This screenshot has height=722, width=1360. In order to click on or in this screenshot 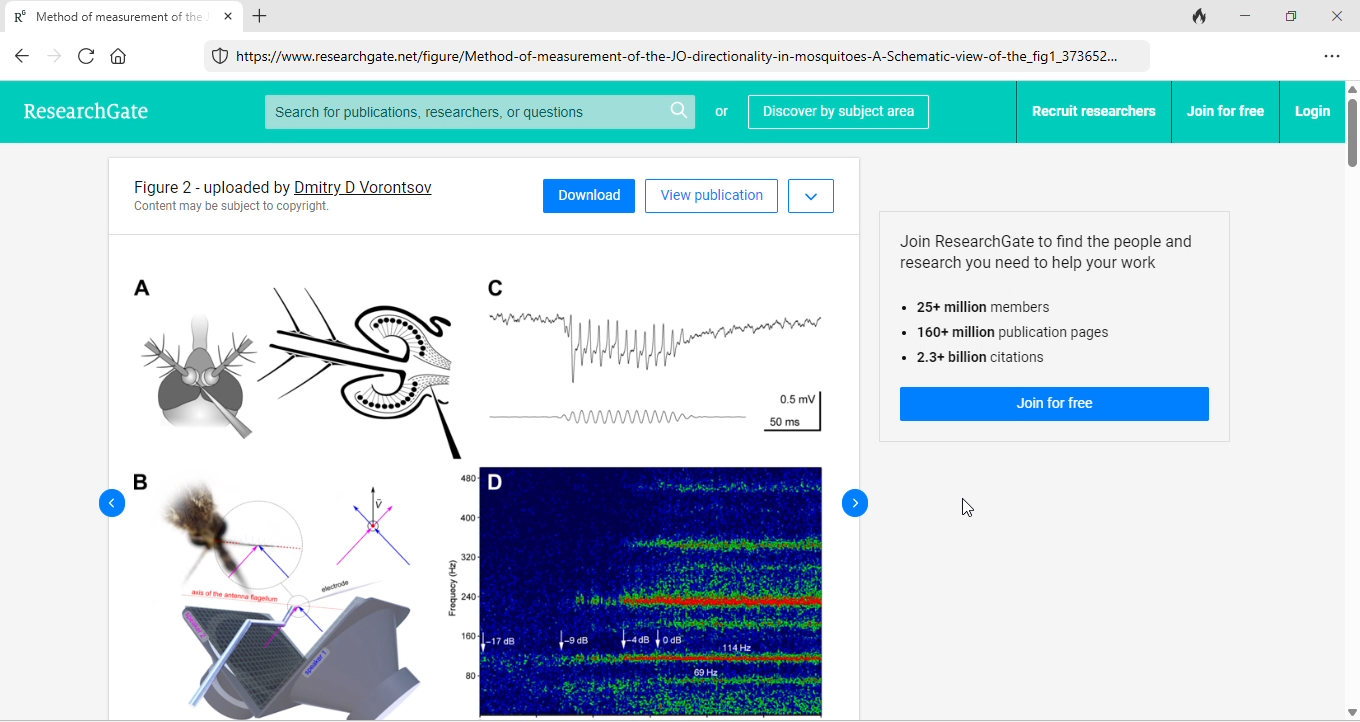, I will do `click(725, 114)`.